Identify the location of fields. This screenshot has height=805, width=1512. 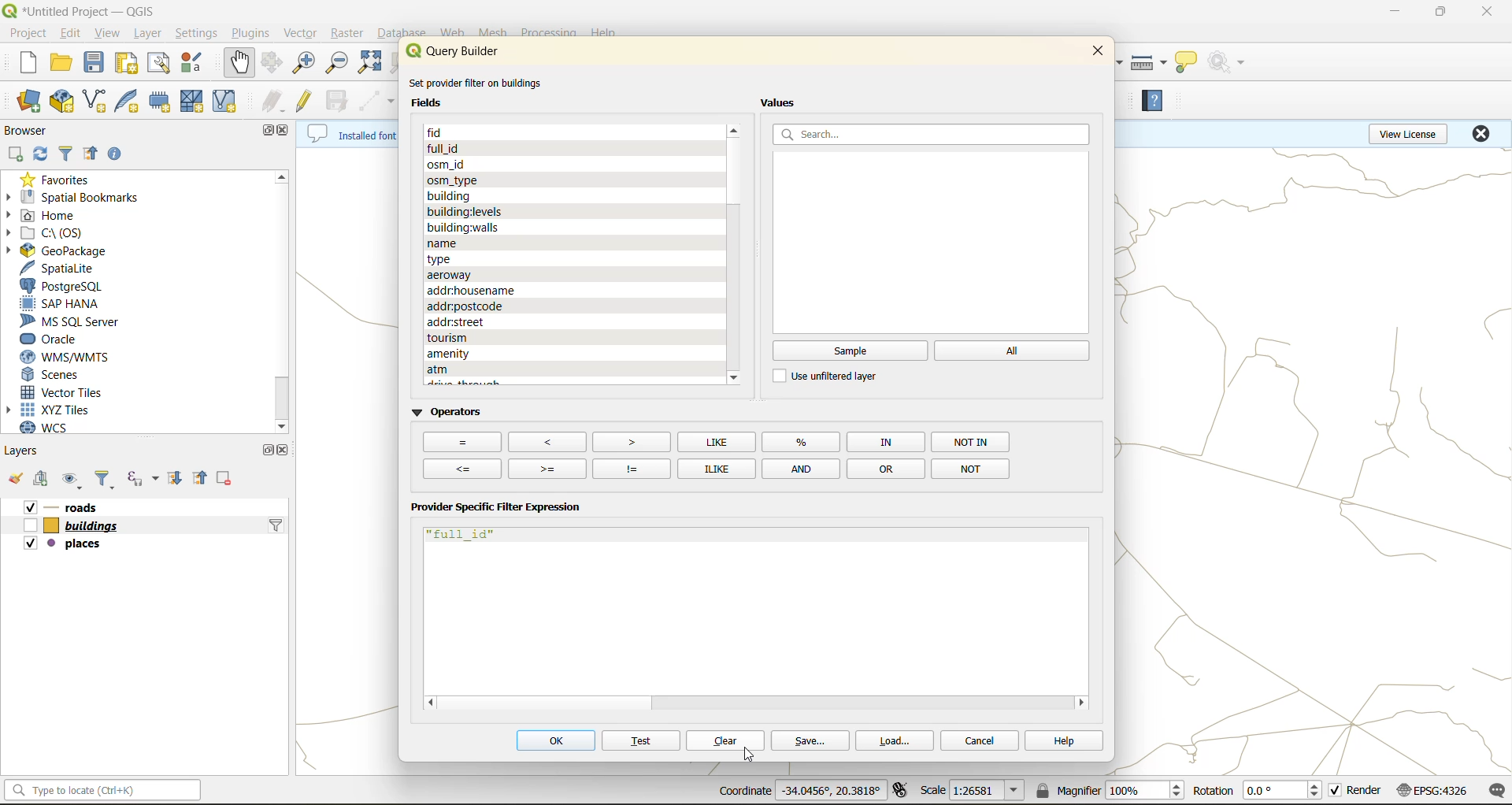
(480, 352).